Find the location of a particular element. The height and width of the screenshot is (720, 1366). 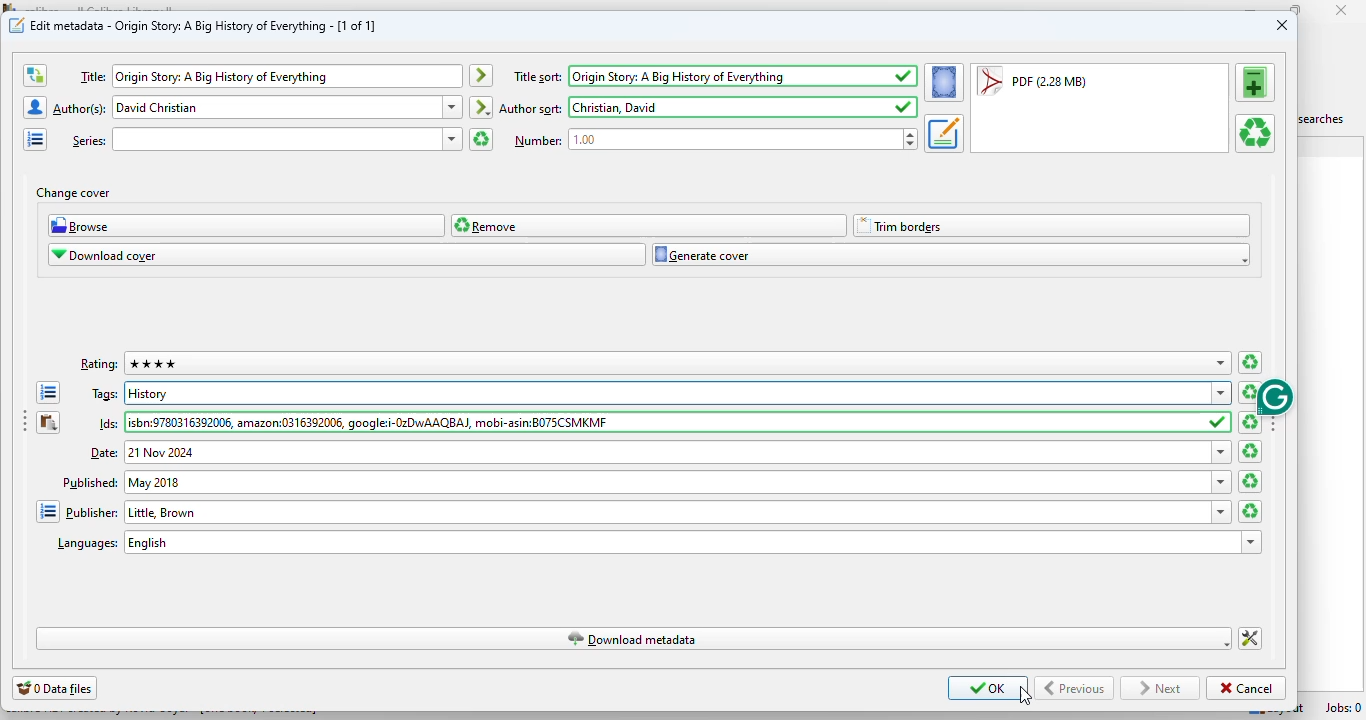

clear date is located at coordinates (1250, 451).